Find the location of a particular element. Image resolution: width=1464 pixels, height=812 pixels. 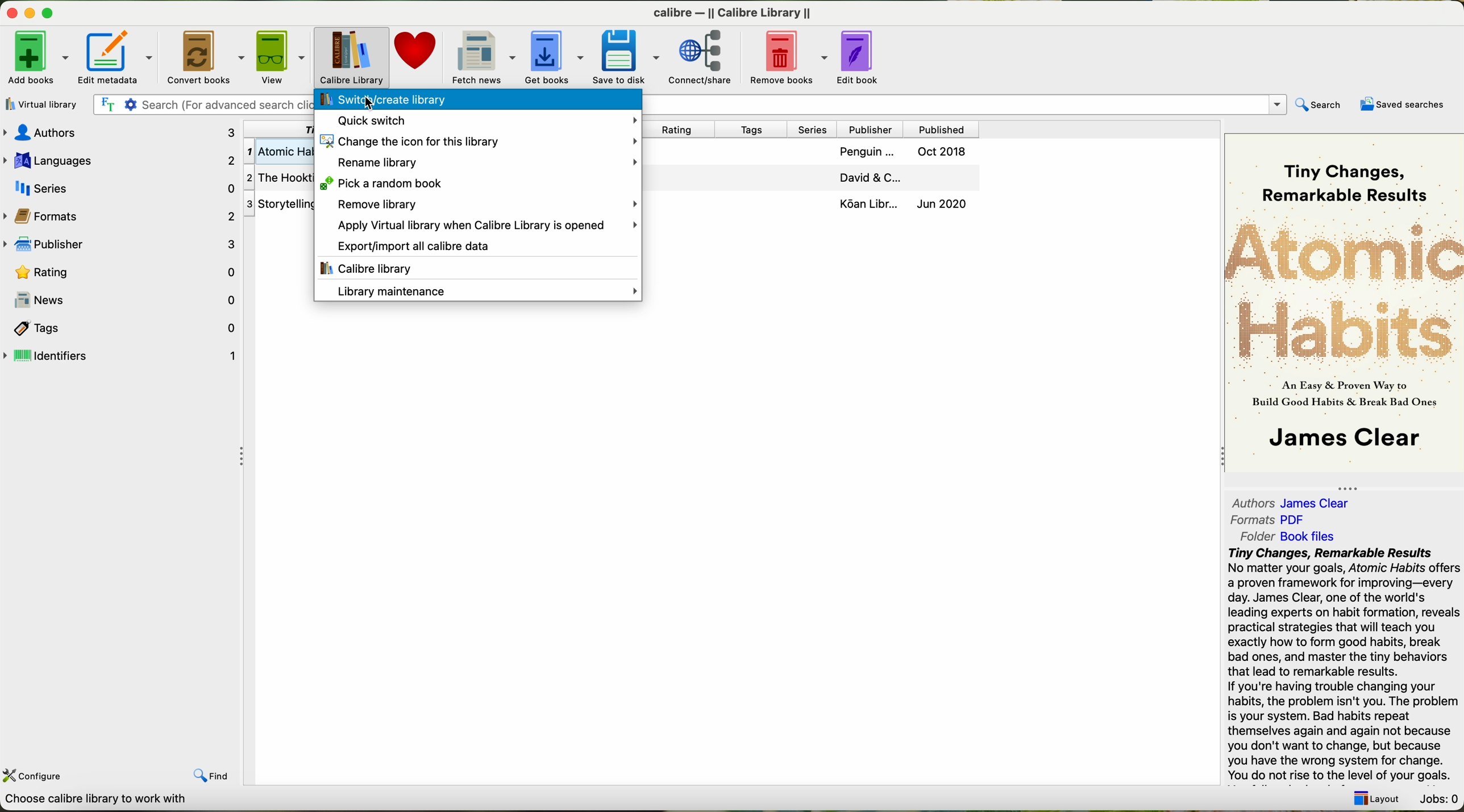

search is located at coordinates (1320, 105).